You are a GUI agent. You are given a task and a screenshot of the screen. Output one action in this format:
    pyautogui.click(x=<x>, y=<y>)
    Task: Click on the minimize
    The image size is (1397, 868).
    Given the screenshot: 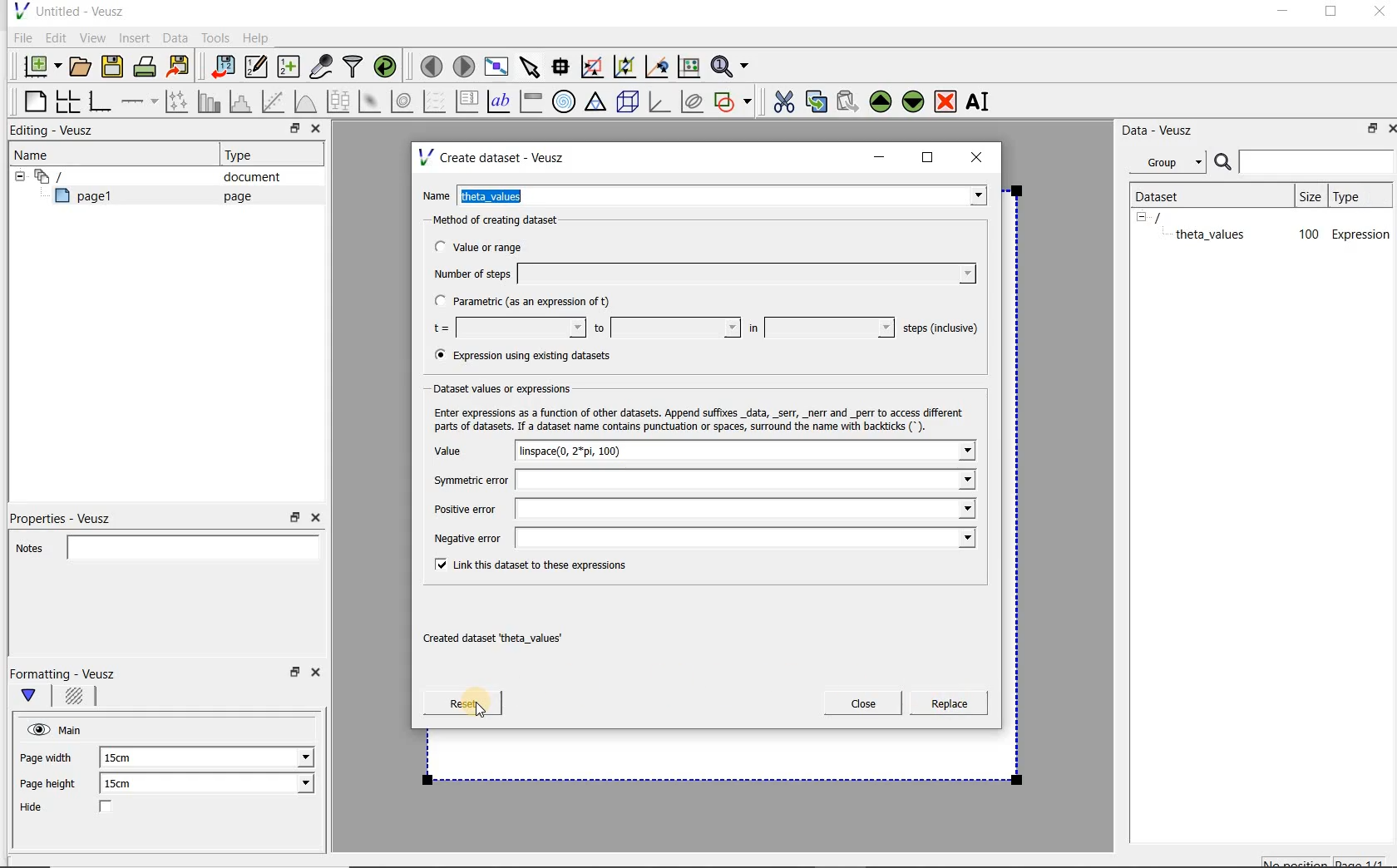 What is the action you would take?
    pyautogui.click(x=880, y=157)
    